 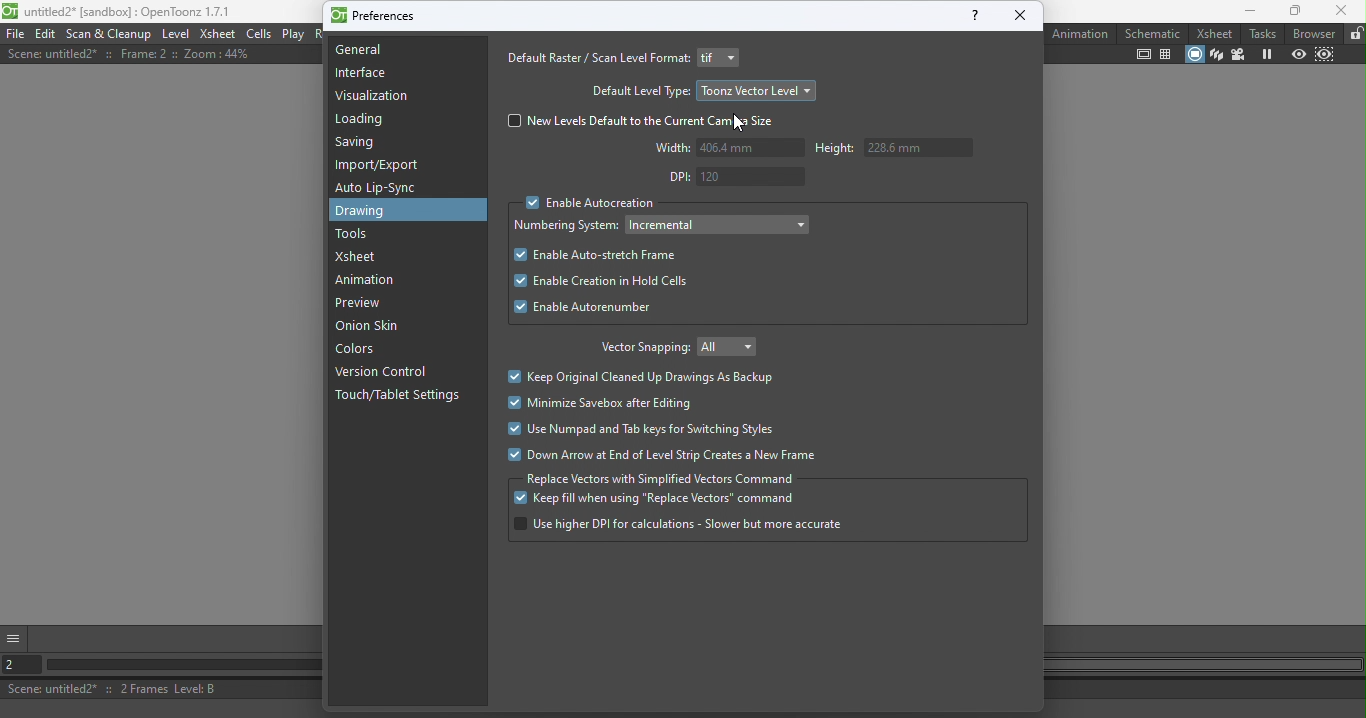 I want to click on Onion skin, so click(x=377, y=327).